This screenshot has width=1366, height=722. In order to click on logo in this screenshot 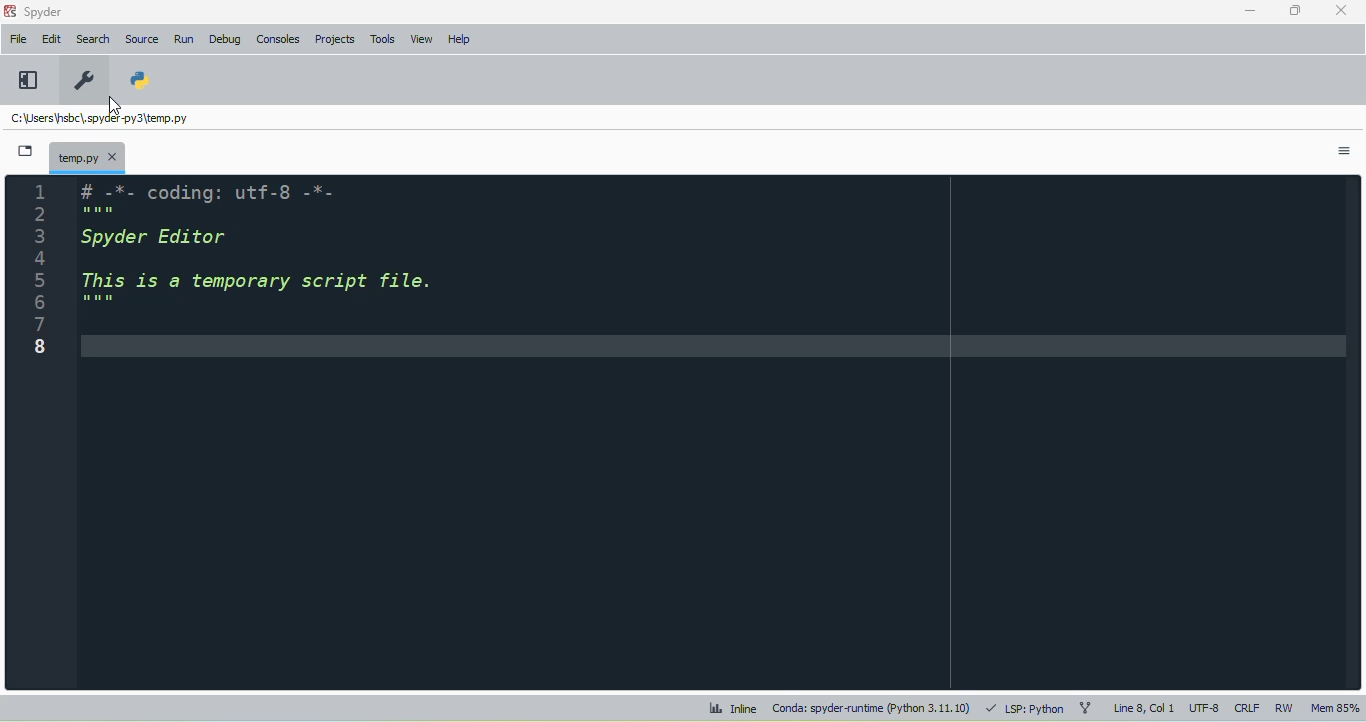, I will do `click(10, 10)`.